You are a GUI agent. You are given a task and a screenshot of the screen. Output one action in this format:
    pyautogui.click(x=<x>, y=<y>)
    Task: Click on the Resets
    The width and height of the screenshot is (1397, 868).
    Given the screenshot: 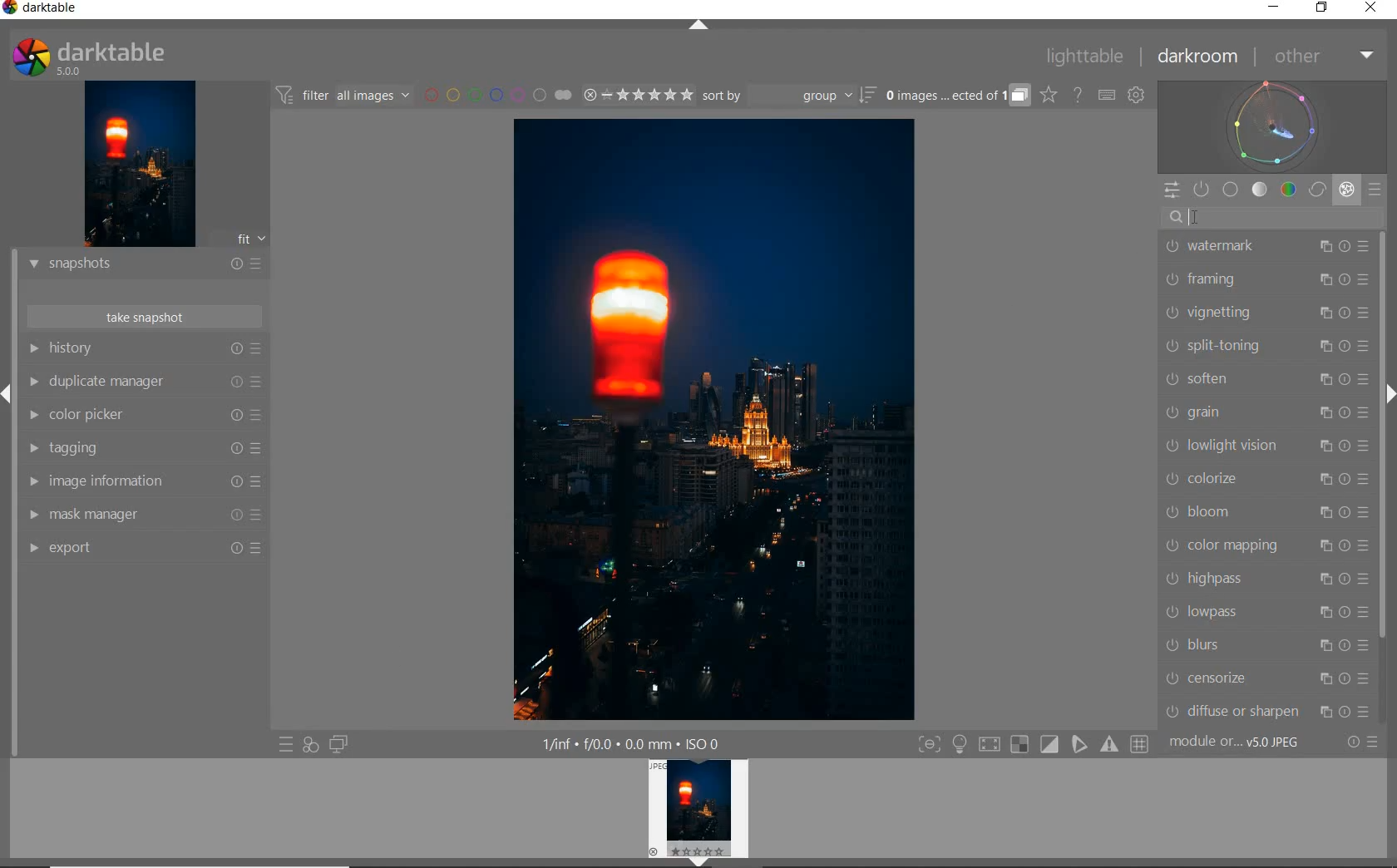 What is the action you would take?
    pyautogui.click(x=235, y=260)
    